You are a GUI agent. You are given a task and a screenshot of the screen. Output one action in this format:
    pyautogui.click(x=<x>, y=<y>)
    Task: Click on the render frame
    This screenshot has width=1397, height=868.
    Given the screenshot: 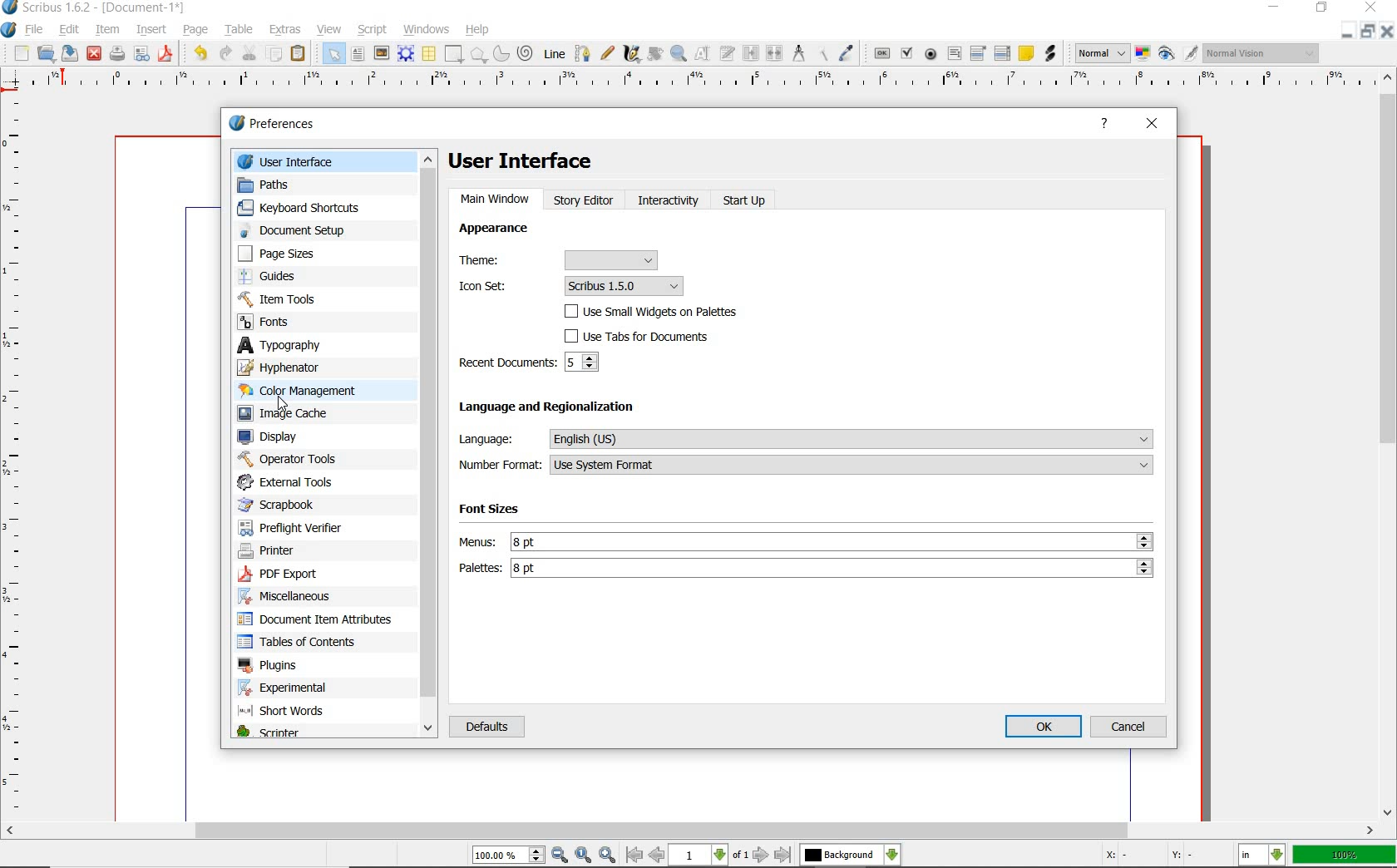 What is the action you would take?
    pyautogui.click(x=406, y=53)
    